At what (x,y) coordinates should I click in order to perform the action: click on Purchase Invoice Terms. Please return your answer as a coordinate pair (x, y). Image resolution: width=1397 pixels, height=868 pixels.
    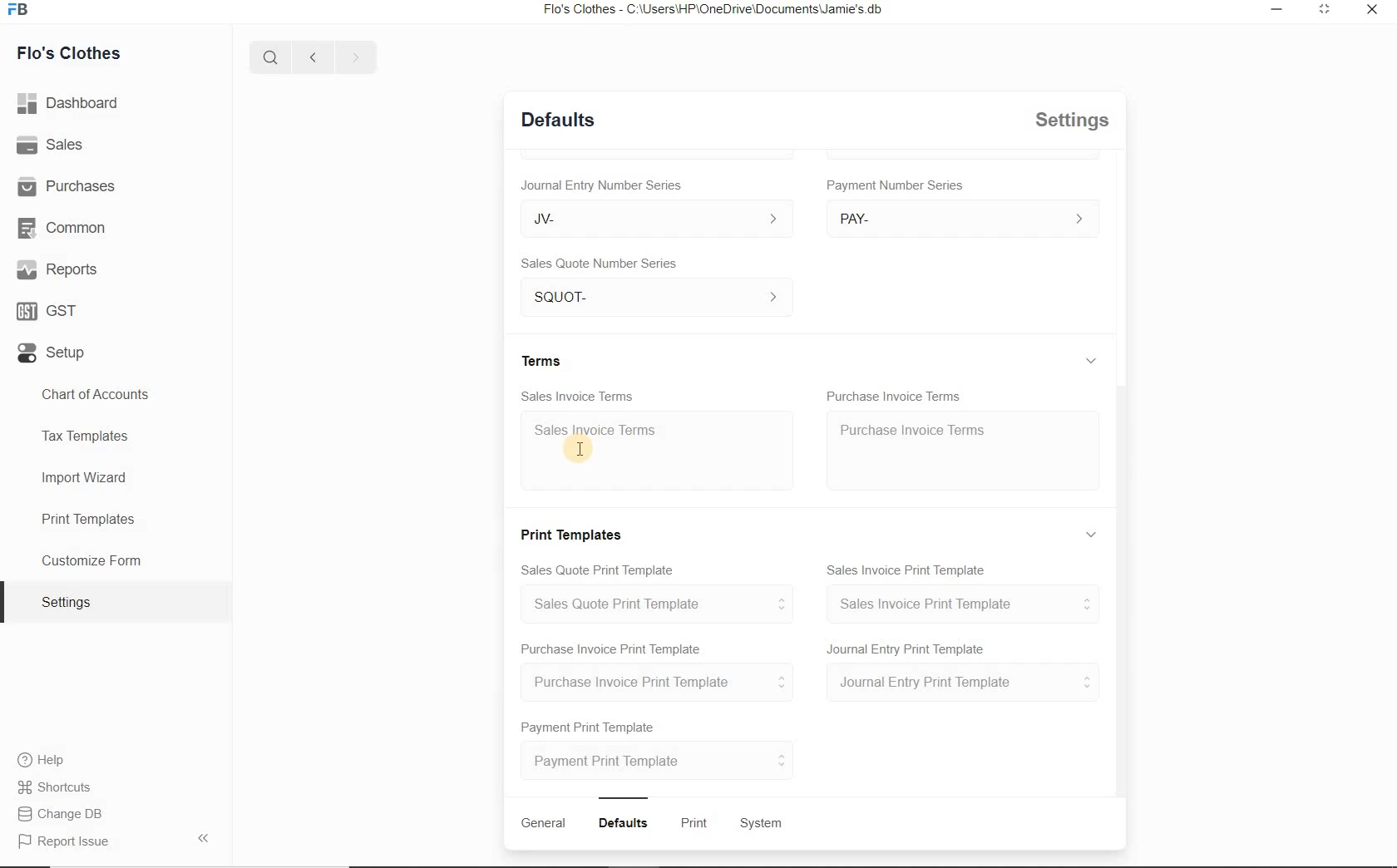
    Looking at the image, I should click on (911, 428).